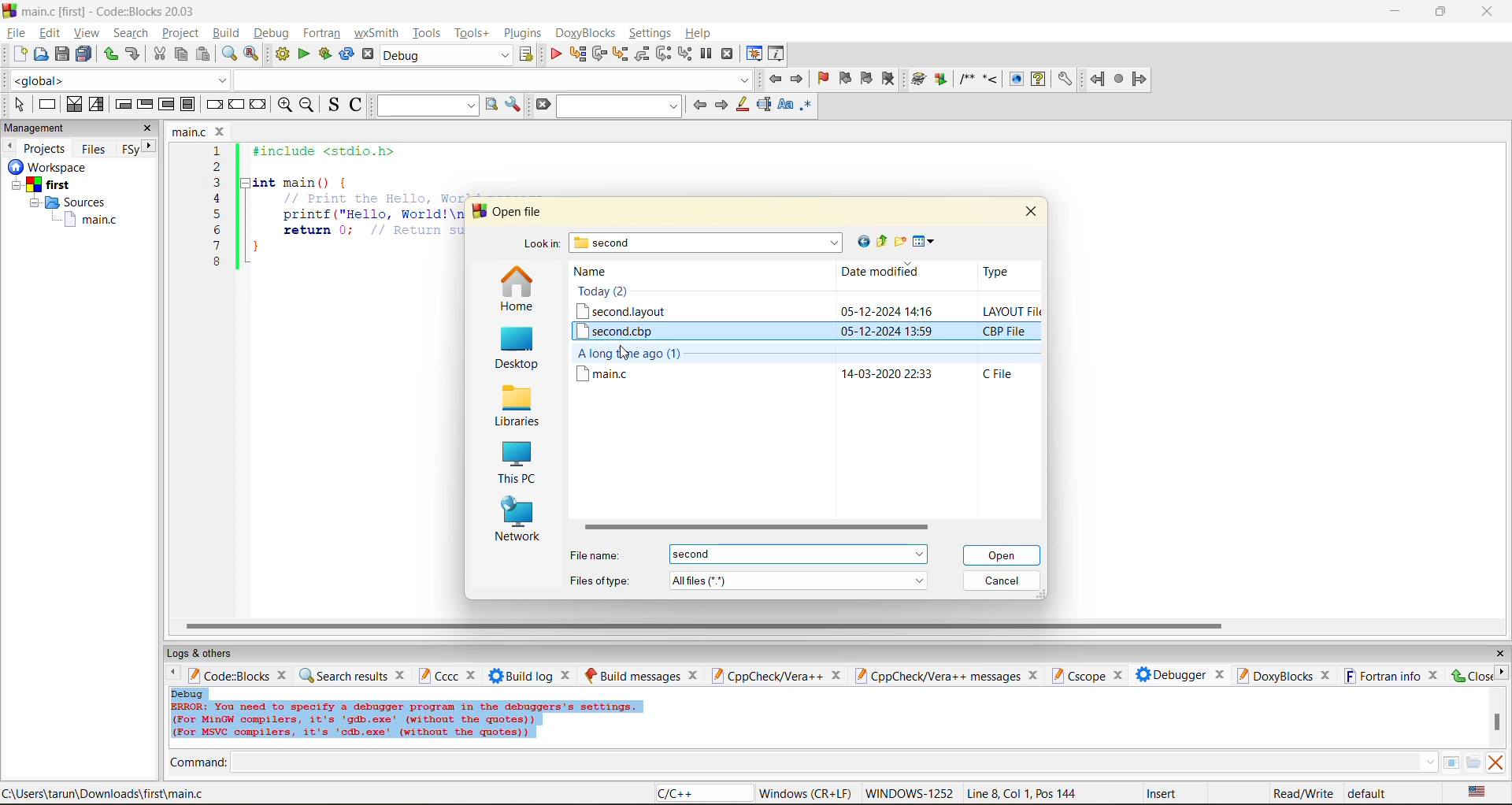 This screenshot has height=805, width=1512. Describe the element at coordinates (377, 33) in the screenshot. I see `wxsmith` at that location.